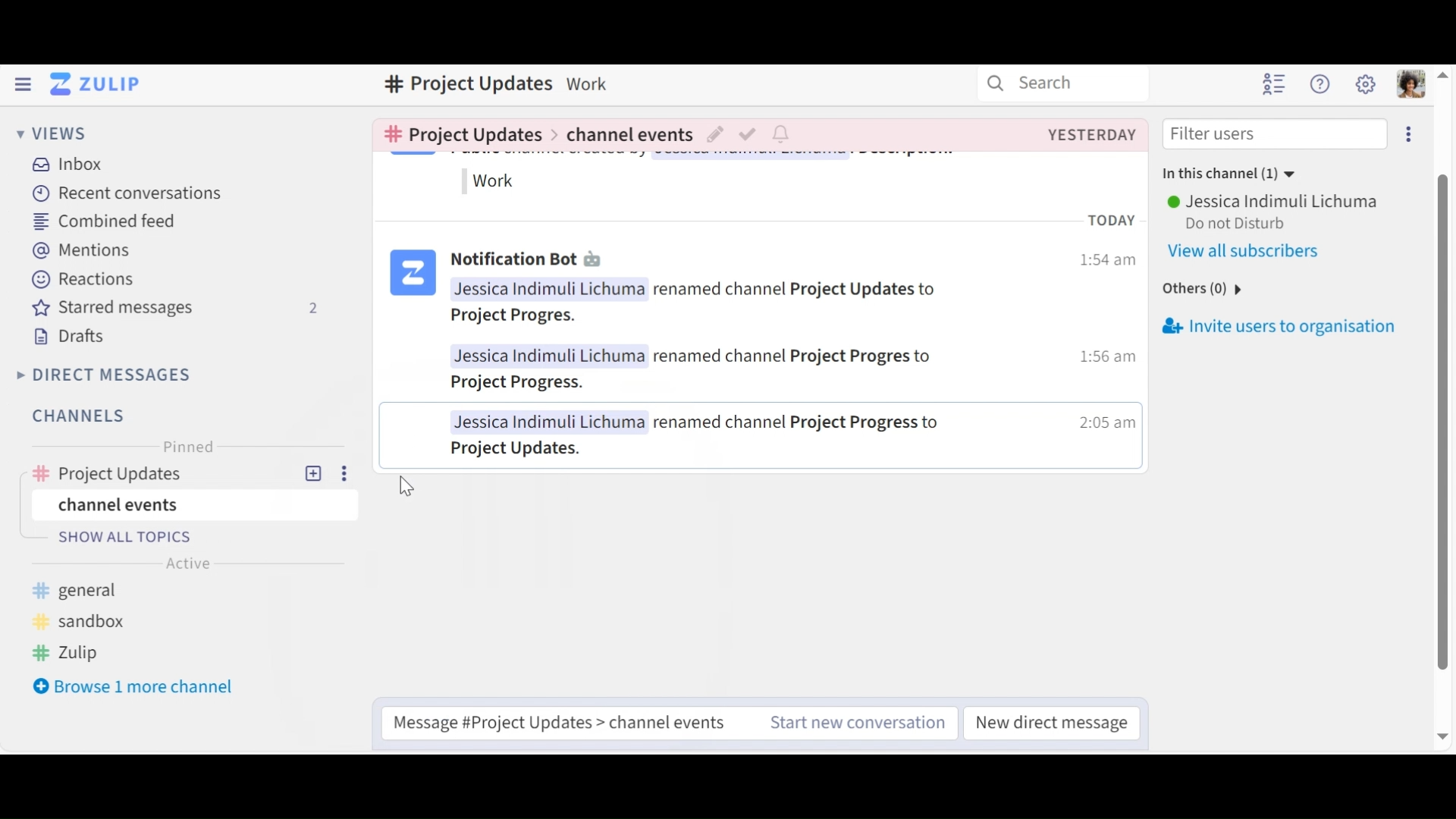 The image size is (1456, 819). What do you see at coordinates (1091, 135) in the screenshot?
I see `Created` at bounding box center [1091, 135].